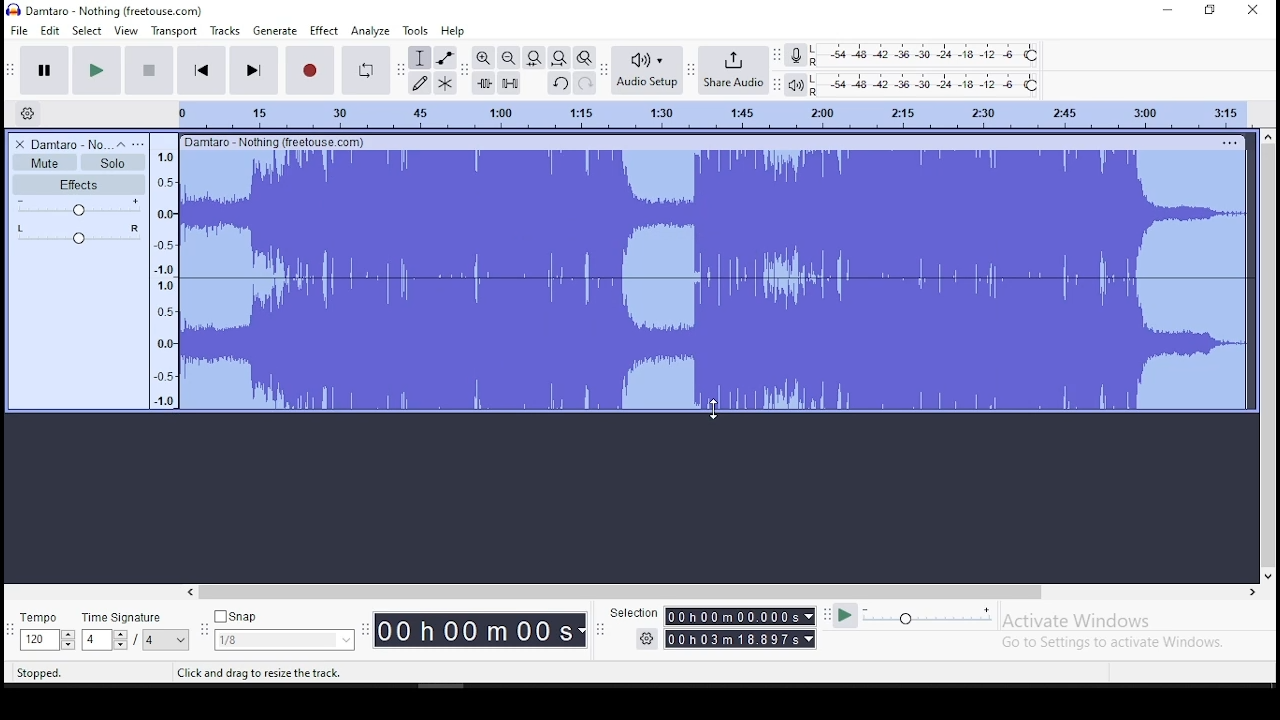 Image resolution: width=1280 pixels, height=720 pixels. I want to click on left, so click(193, 592).